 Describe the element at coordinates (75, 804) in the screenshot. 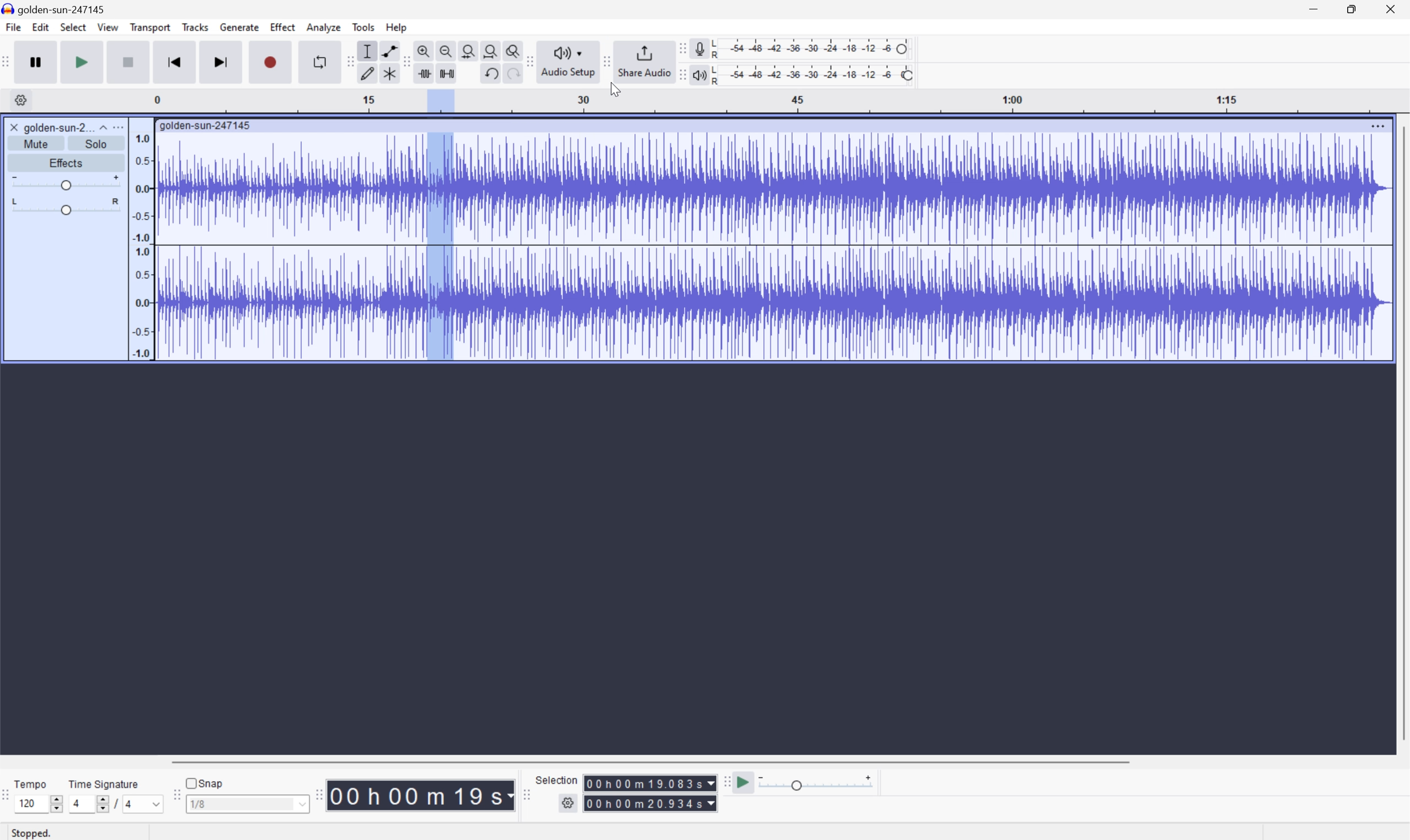

I see `4` at that location.